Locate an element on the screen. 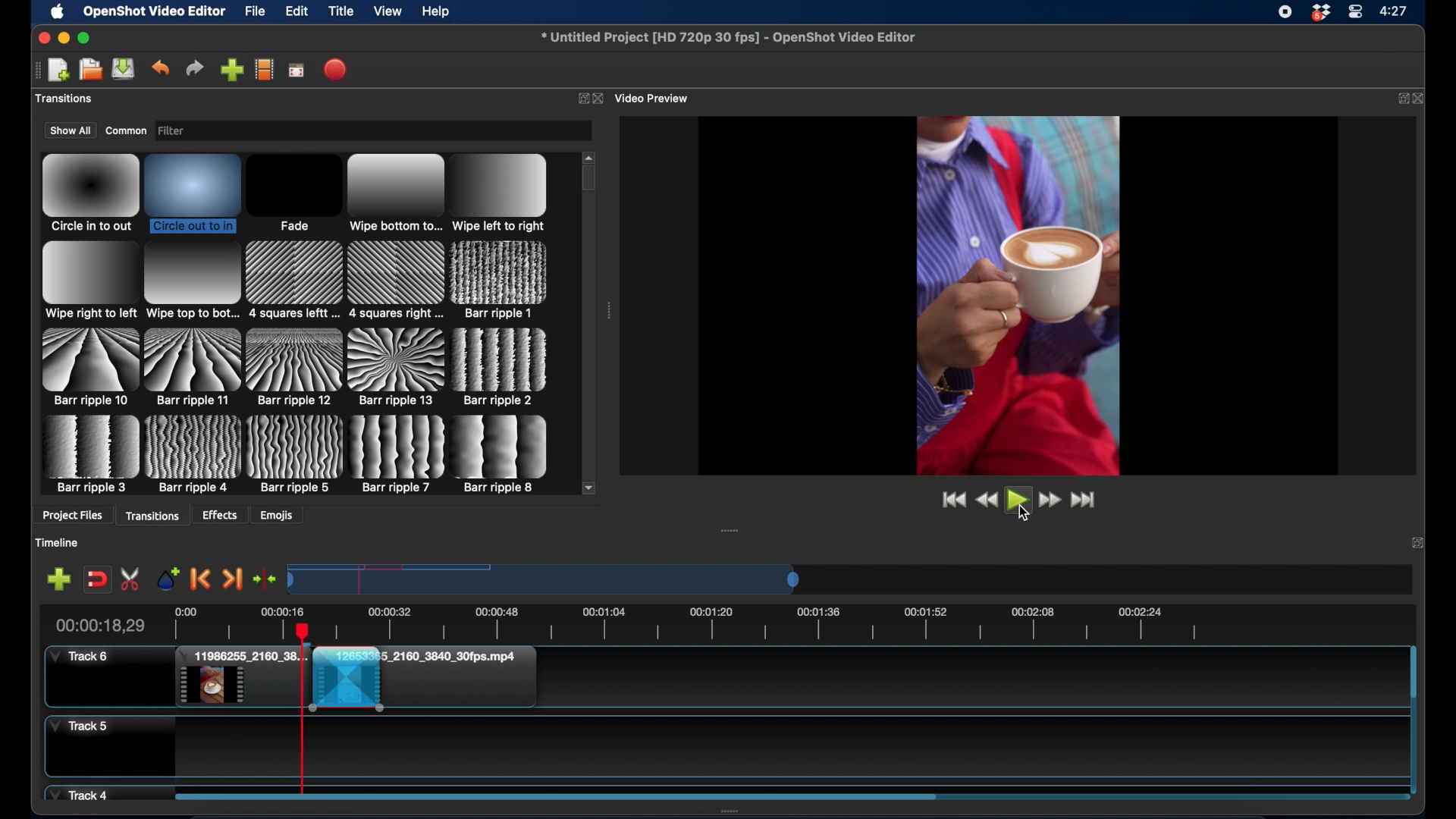 Image resolution: width=1456 pixels, height=819 pixels. disable snapping is located at coordinates (97, 578).